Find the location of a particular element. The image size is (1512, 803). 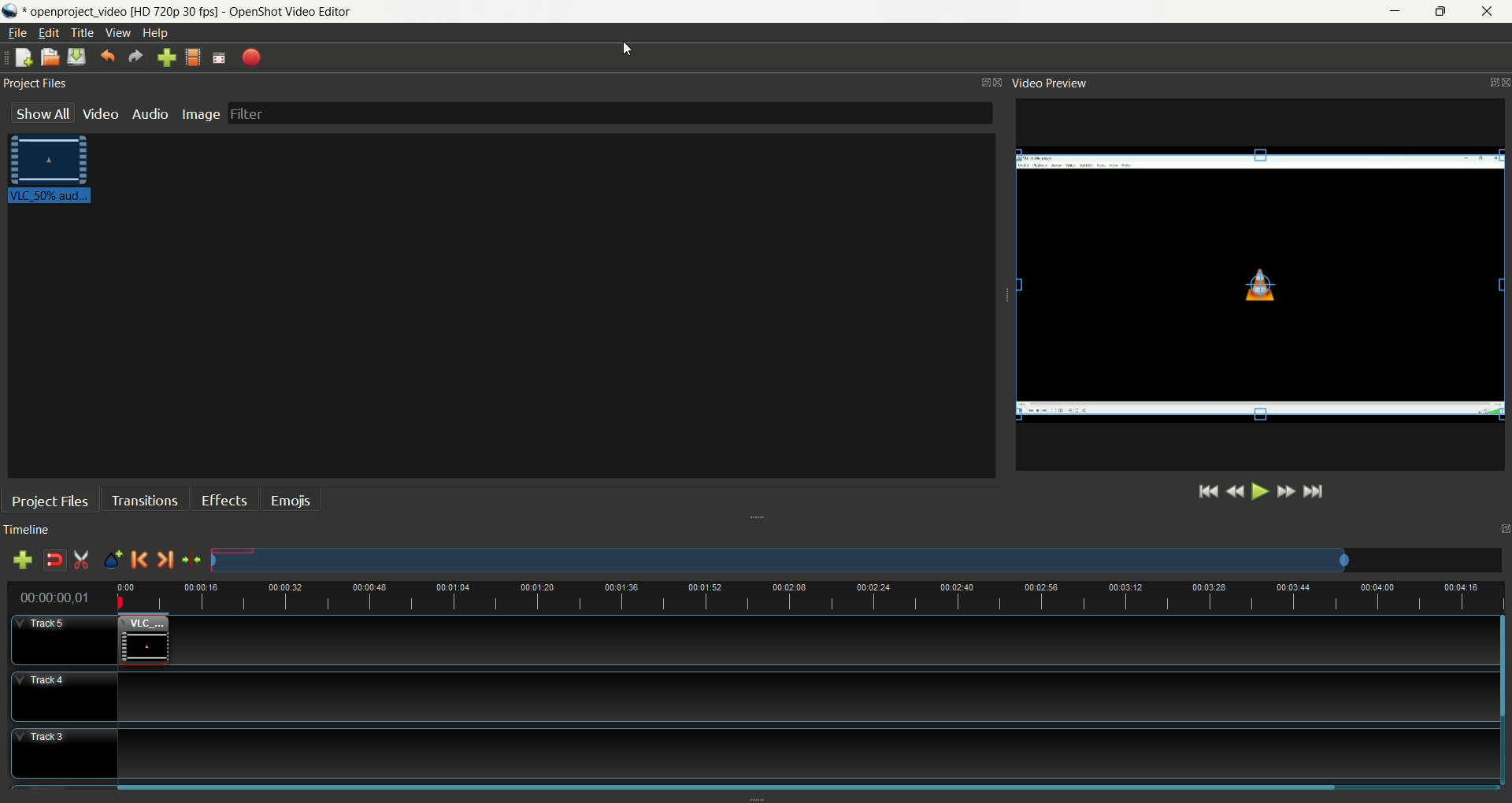

video is located at coordinates (101, 113).